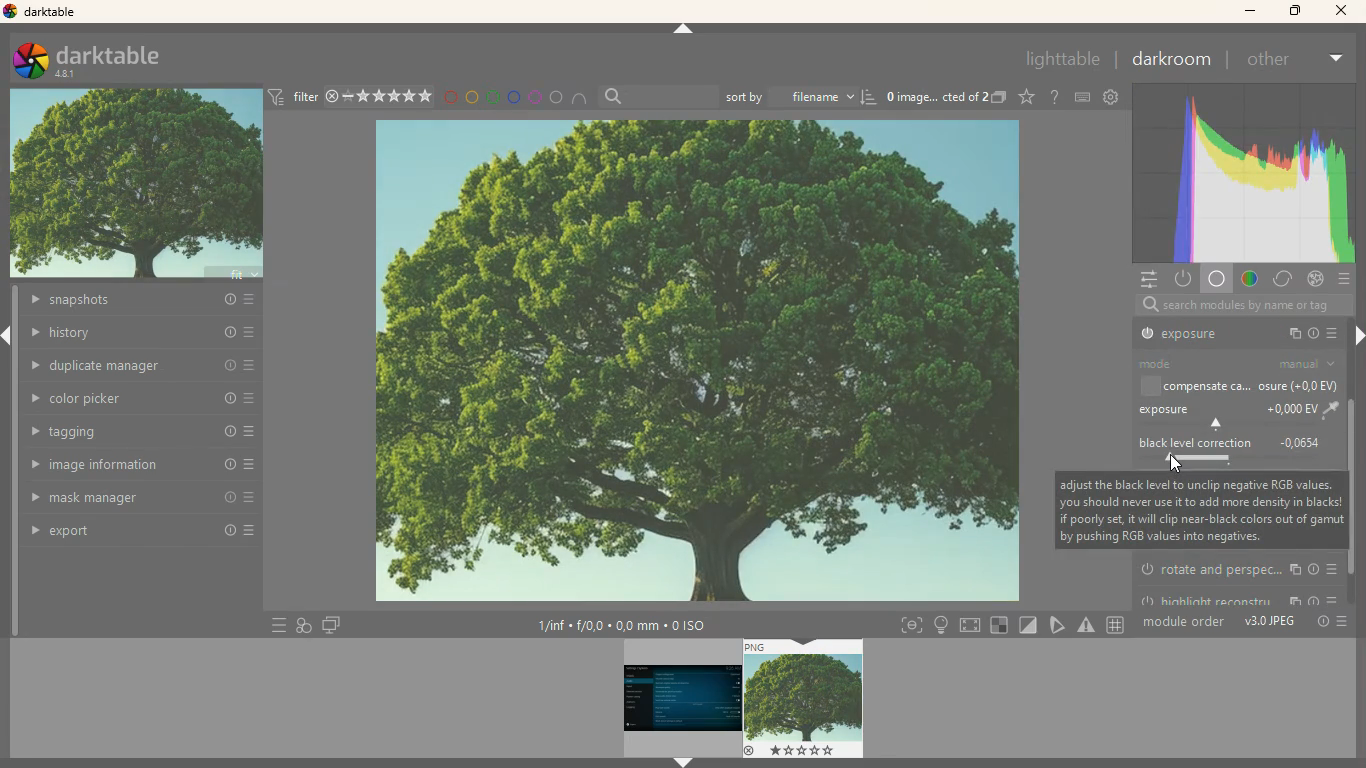  What do you see at coordinates (684, 29) in the screenshot?
I see `arrow` at bounding box center [684, 29].